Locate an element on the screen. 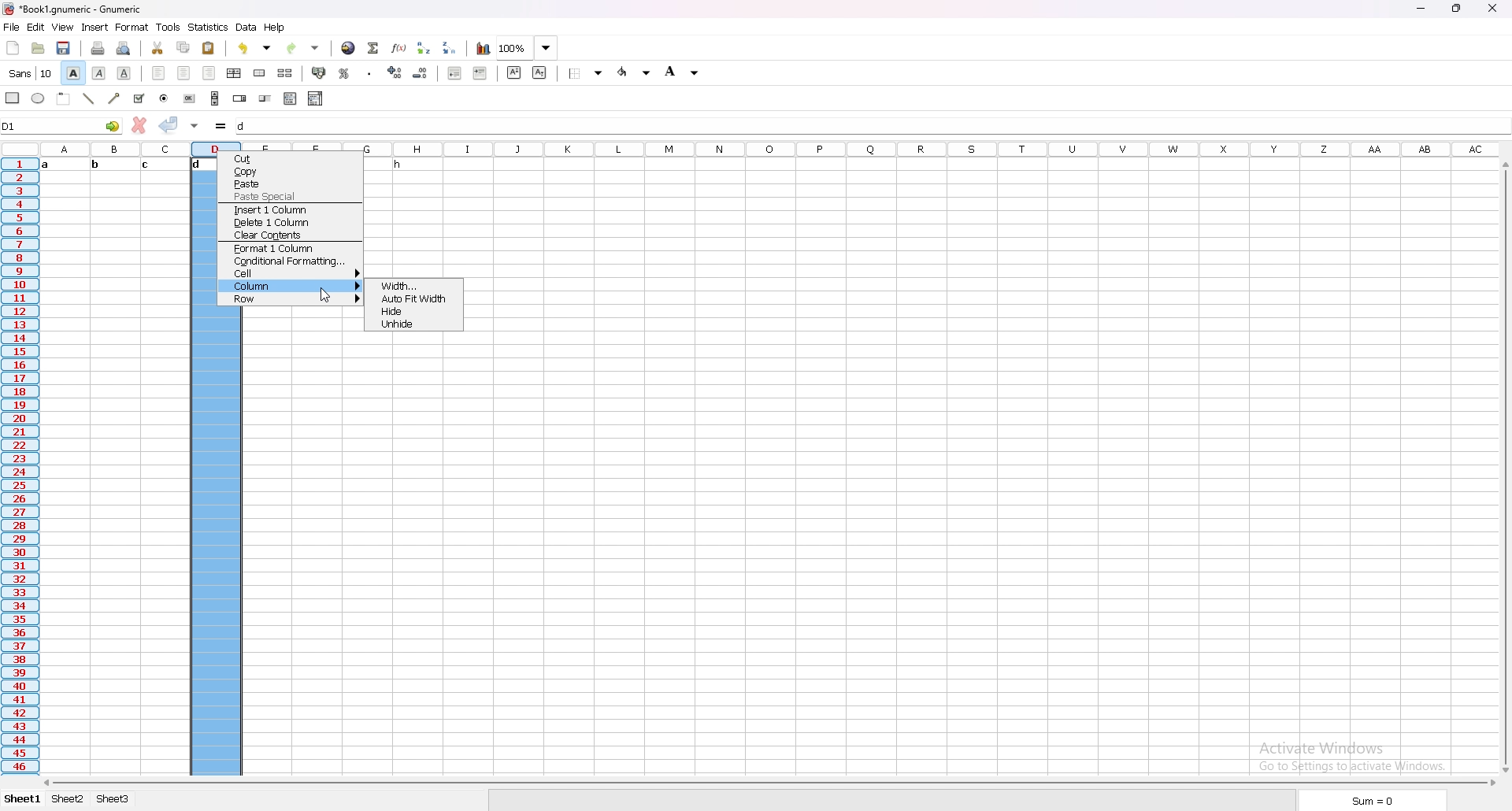 Image resolution: width=1512 pixels, height=811 pixels. right align is located at coordinates (210, 72).